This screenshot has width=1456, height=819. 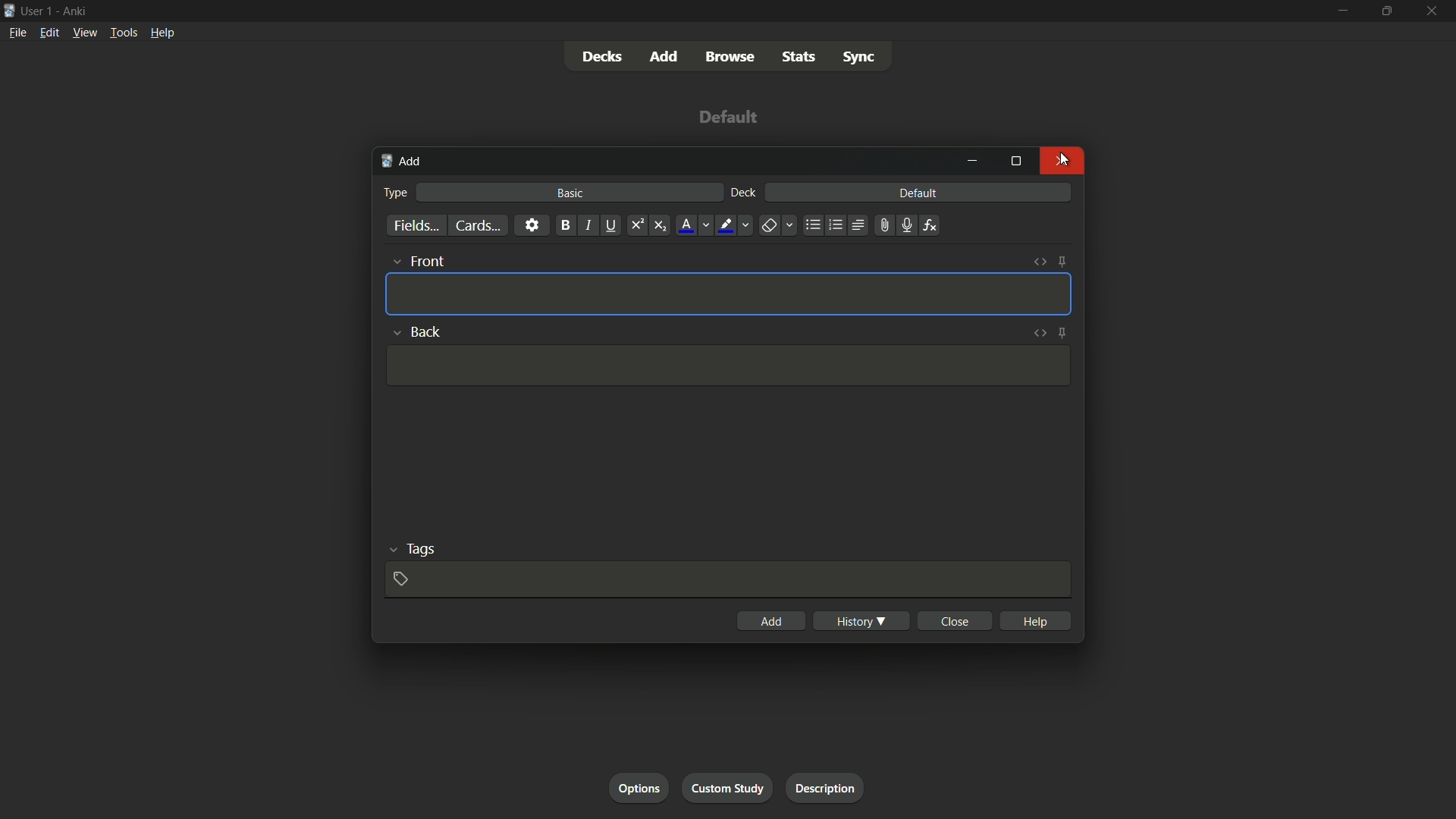 What do you see at coordinates (403, 580) in the screenshot?
I see `add tags` at bounding box center [403, 580].